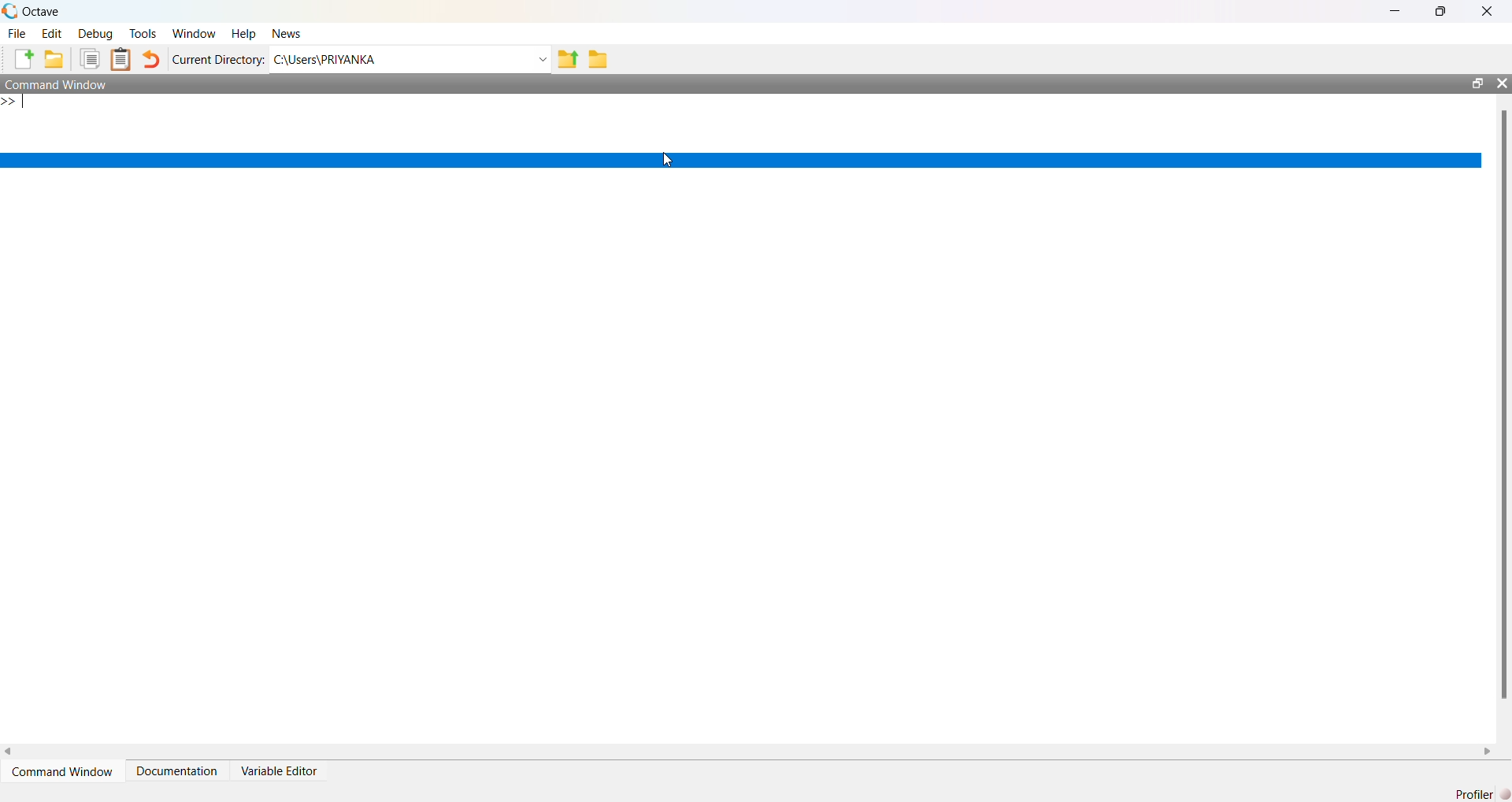 The height and width of the screenshot is (802, 1512). I want to click on Tools, so click(143, 33).